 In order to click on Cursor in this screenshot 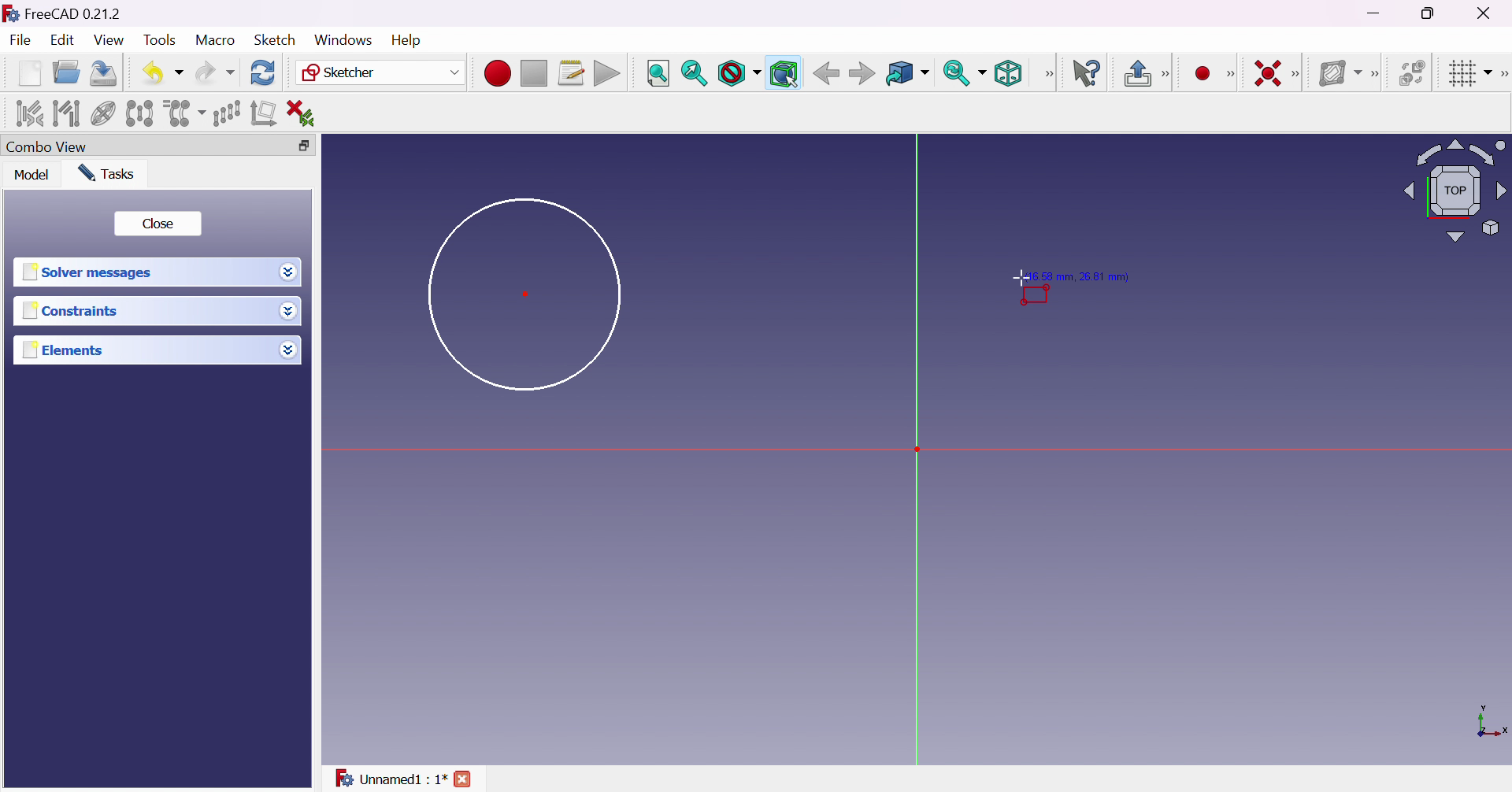, I will do `click(1033, 287)`.